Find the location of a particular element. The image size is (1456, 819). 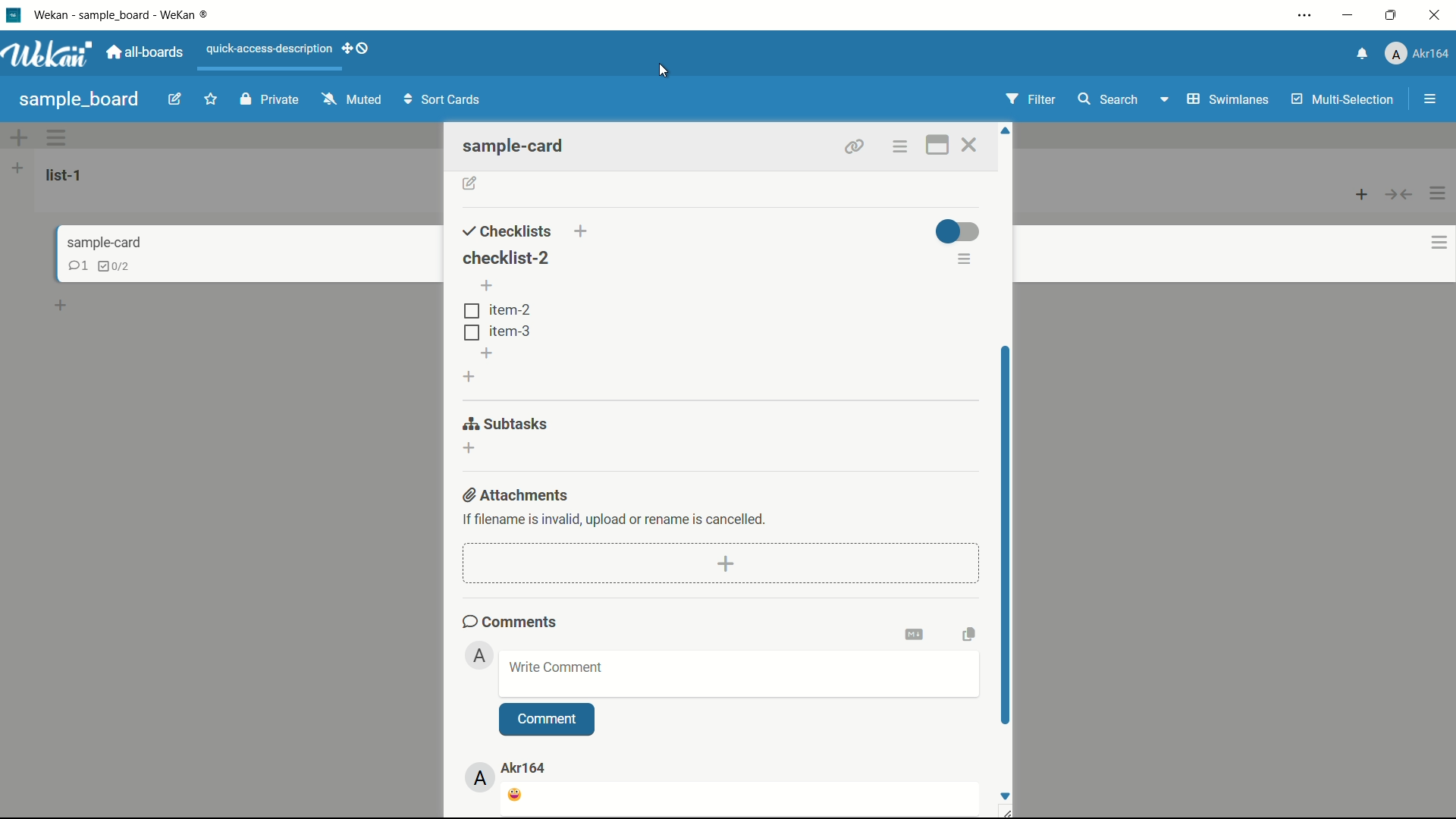

0/2 is located at coordinates (120, 266).